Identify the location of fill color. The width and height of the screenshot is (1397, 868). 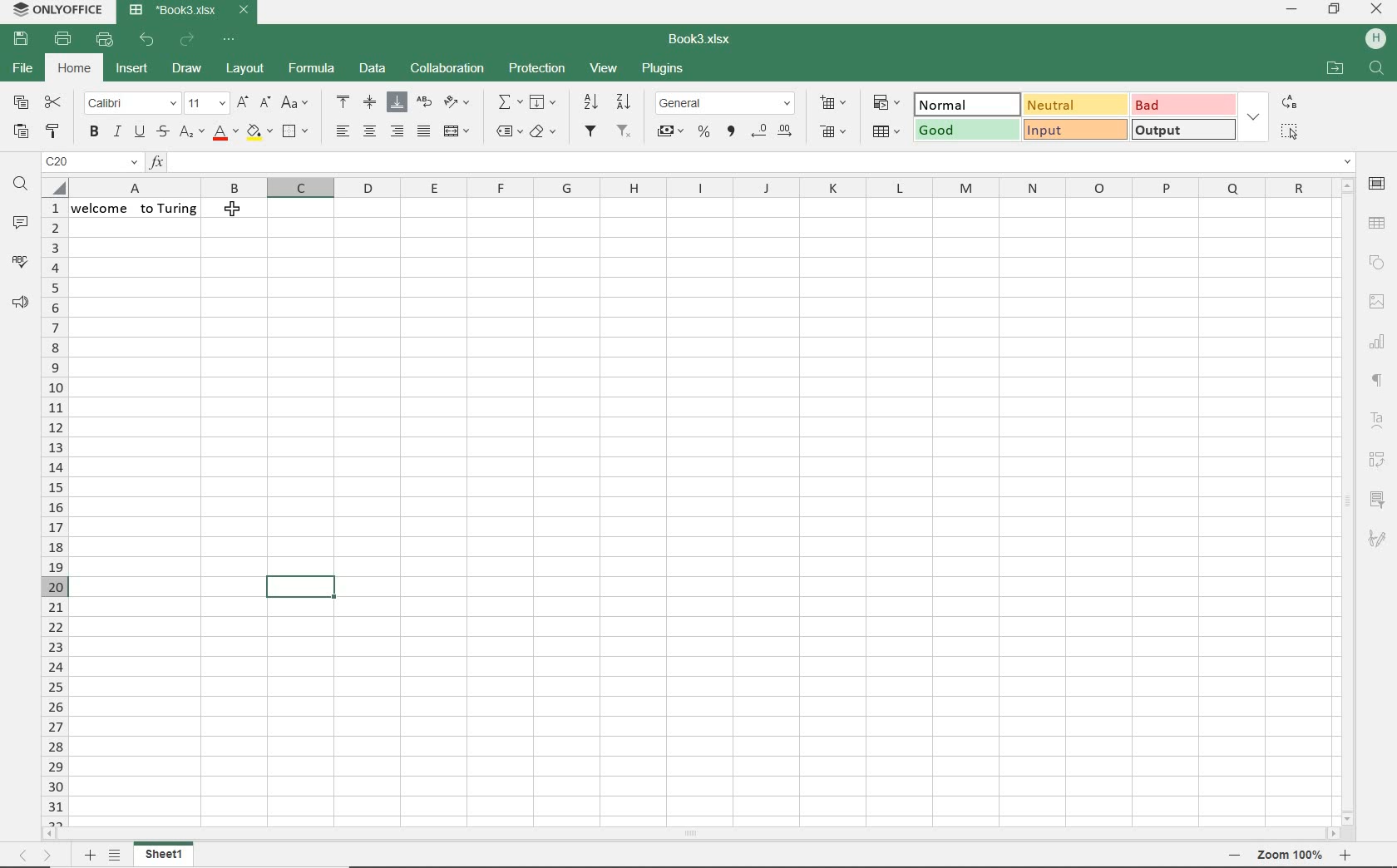
(259, 134).